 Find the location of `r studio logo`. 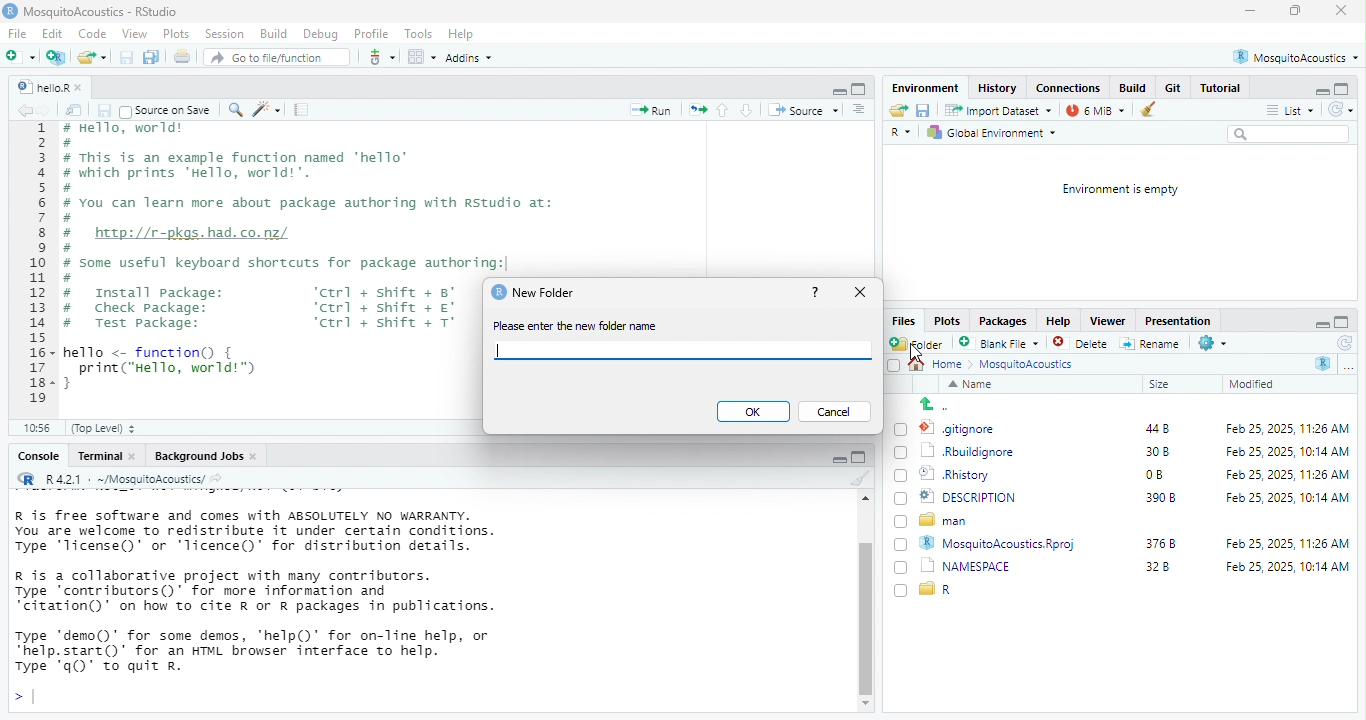

r studio logo is located at coordinates (1321, 364).